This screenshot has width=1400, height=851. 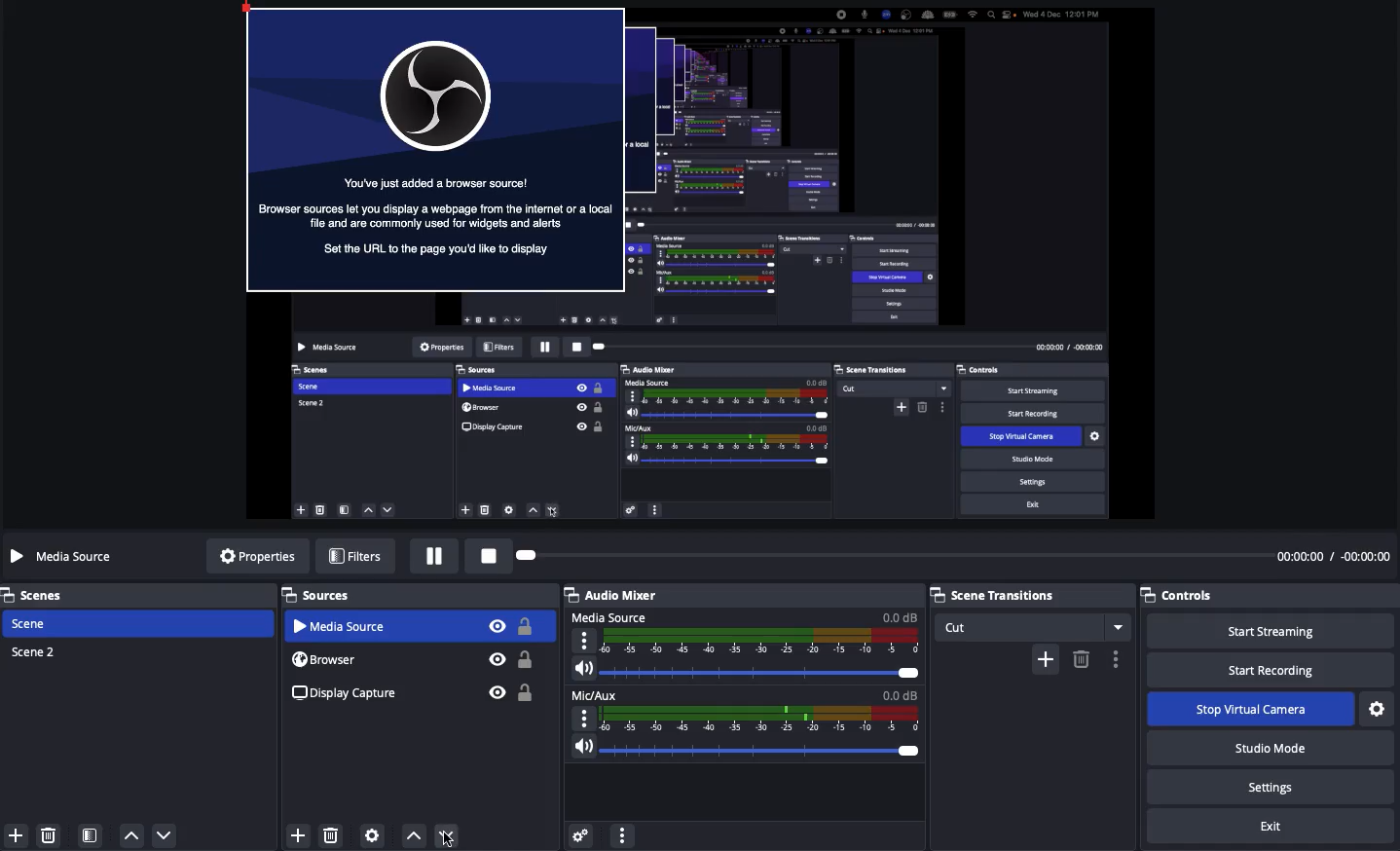 I want to click on move down, so click(x=447, y=834).